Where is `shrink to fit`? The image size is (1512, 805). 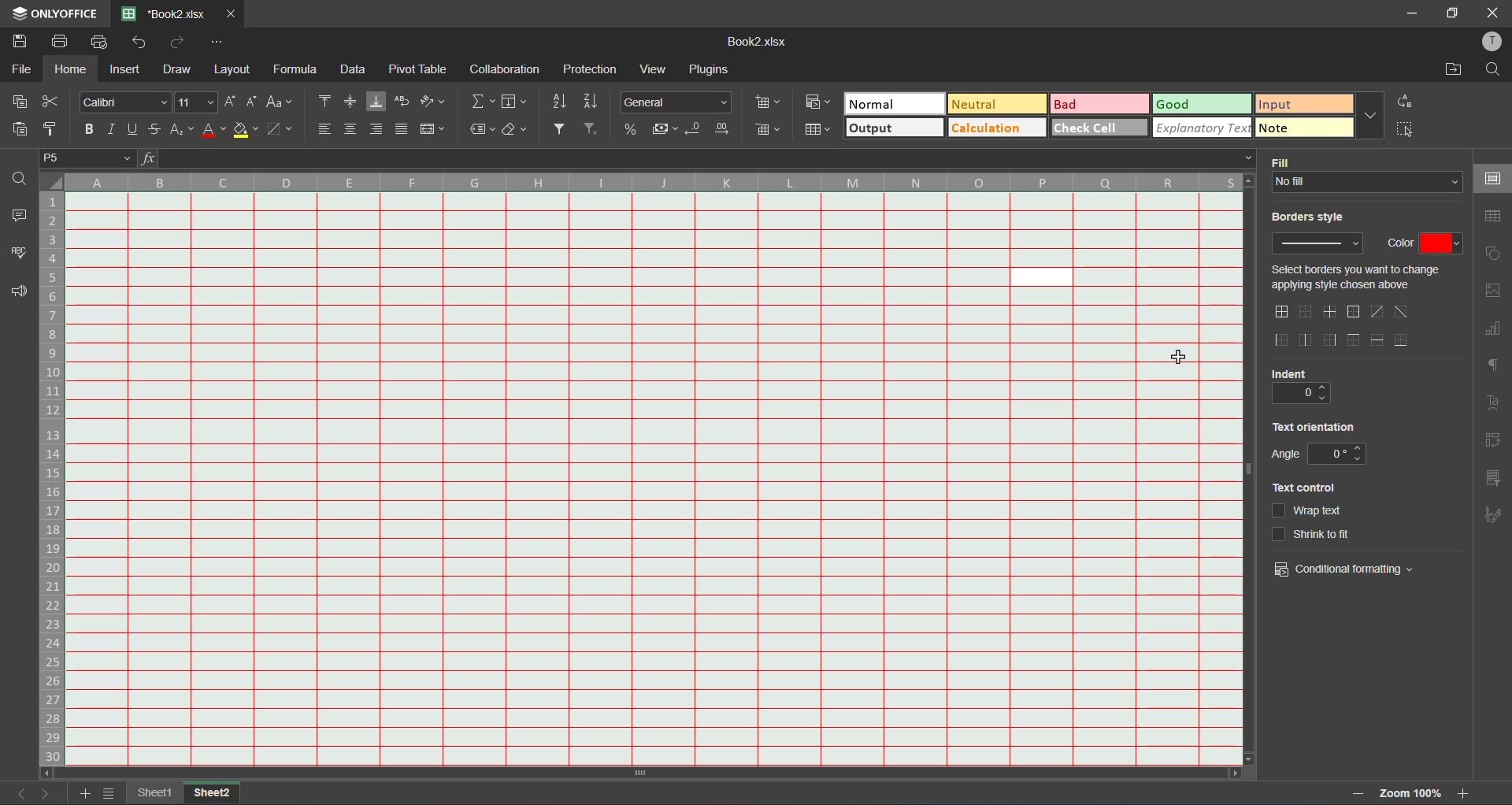 shrink to fit is located at coordinates (1314, 536).